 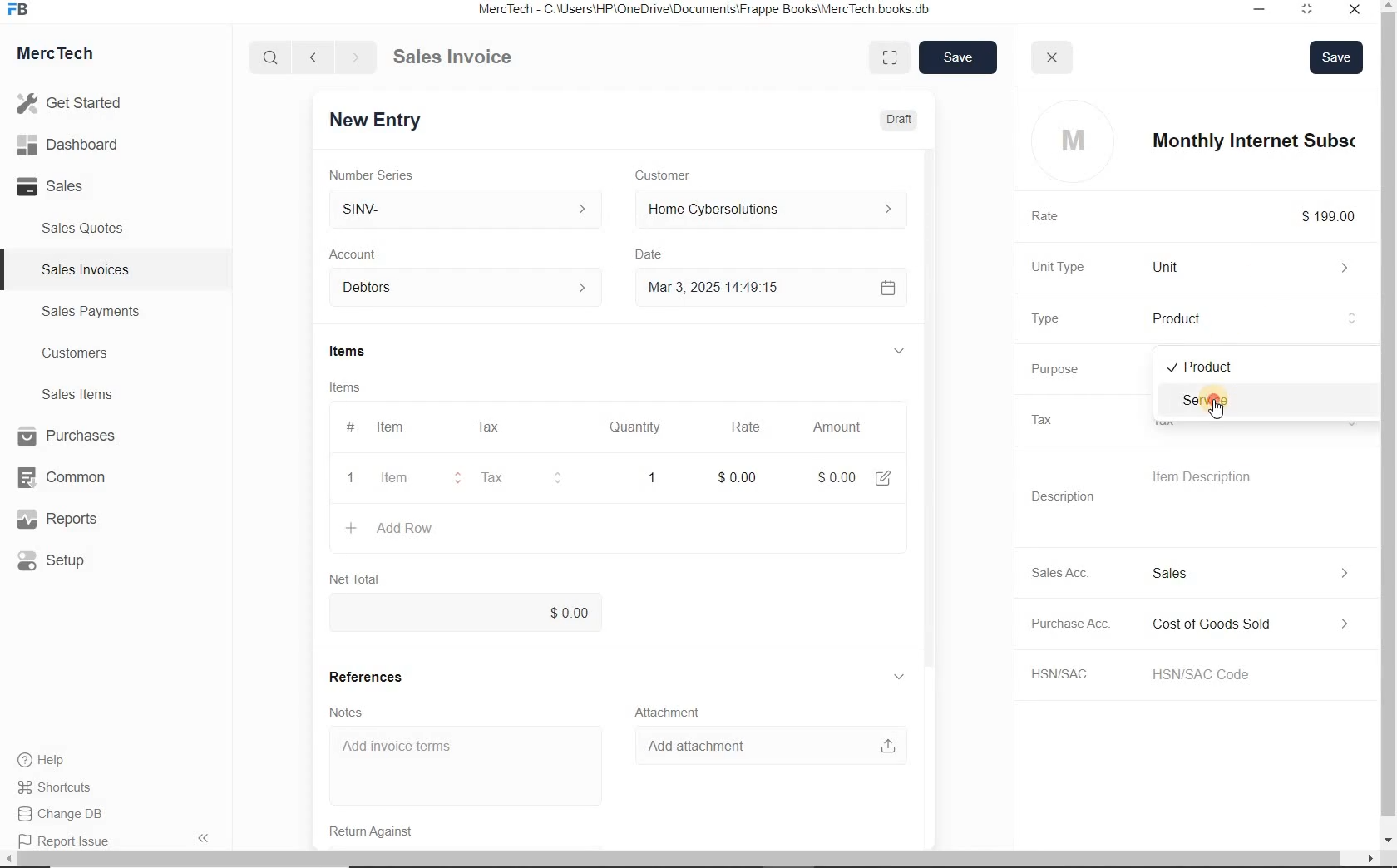 What do you see at coordinates (272, 57) in the screenshot?
I see `Search` at bounding box center [272, 57].